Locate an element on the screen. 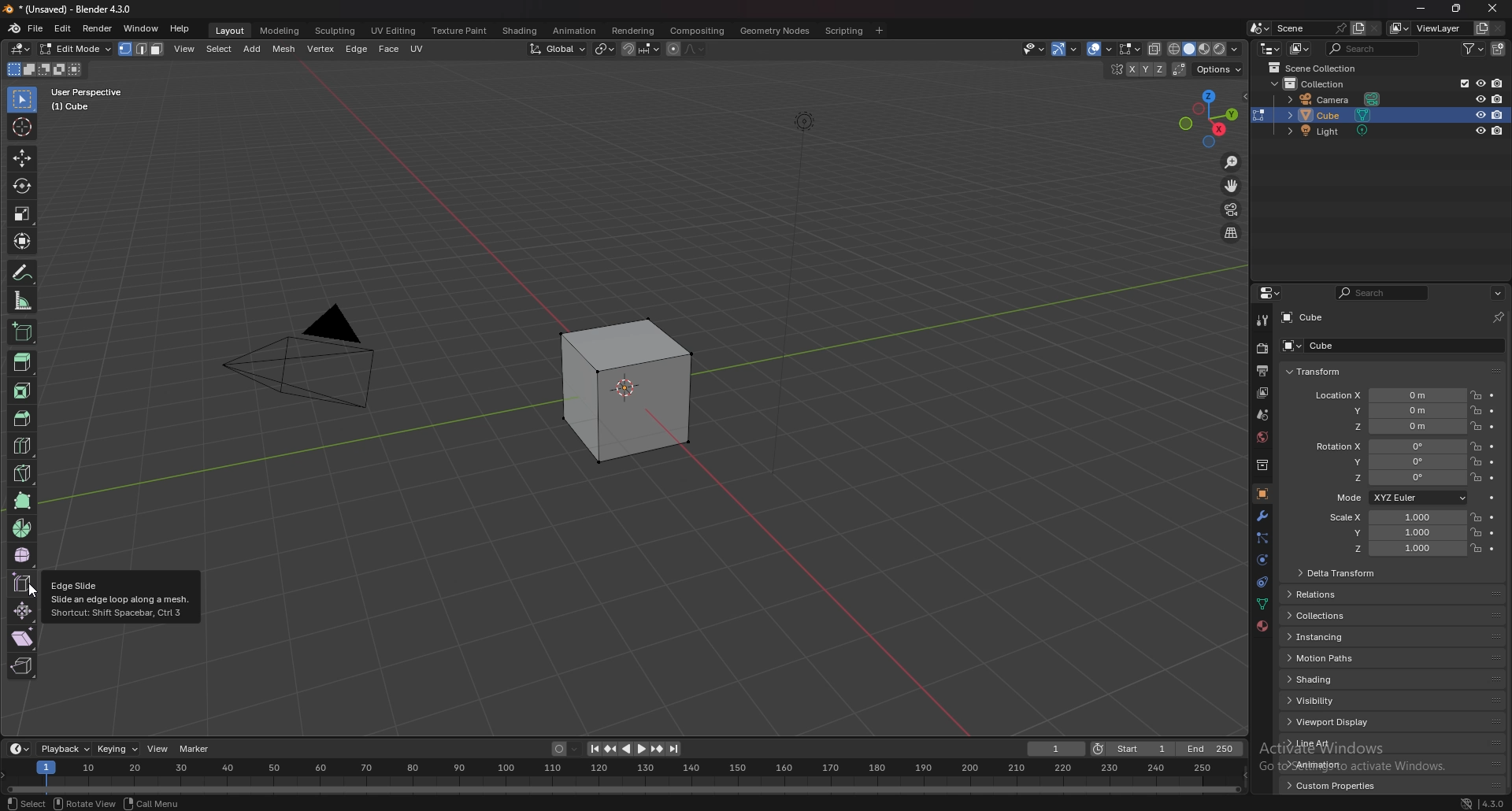  disable in render is located at coordinates (1498, 83).